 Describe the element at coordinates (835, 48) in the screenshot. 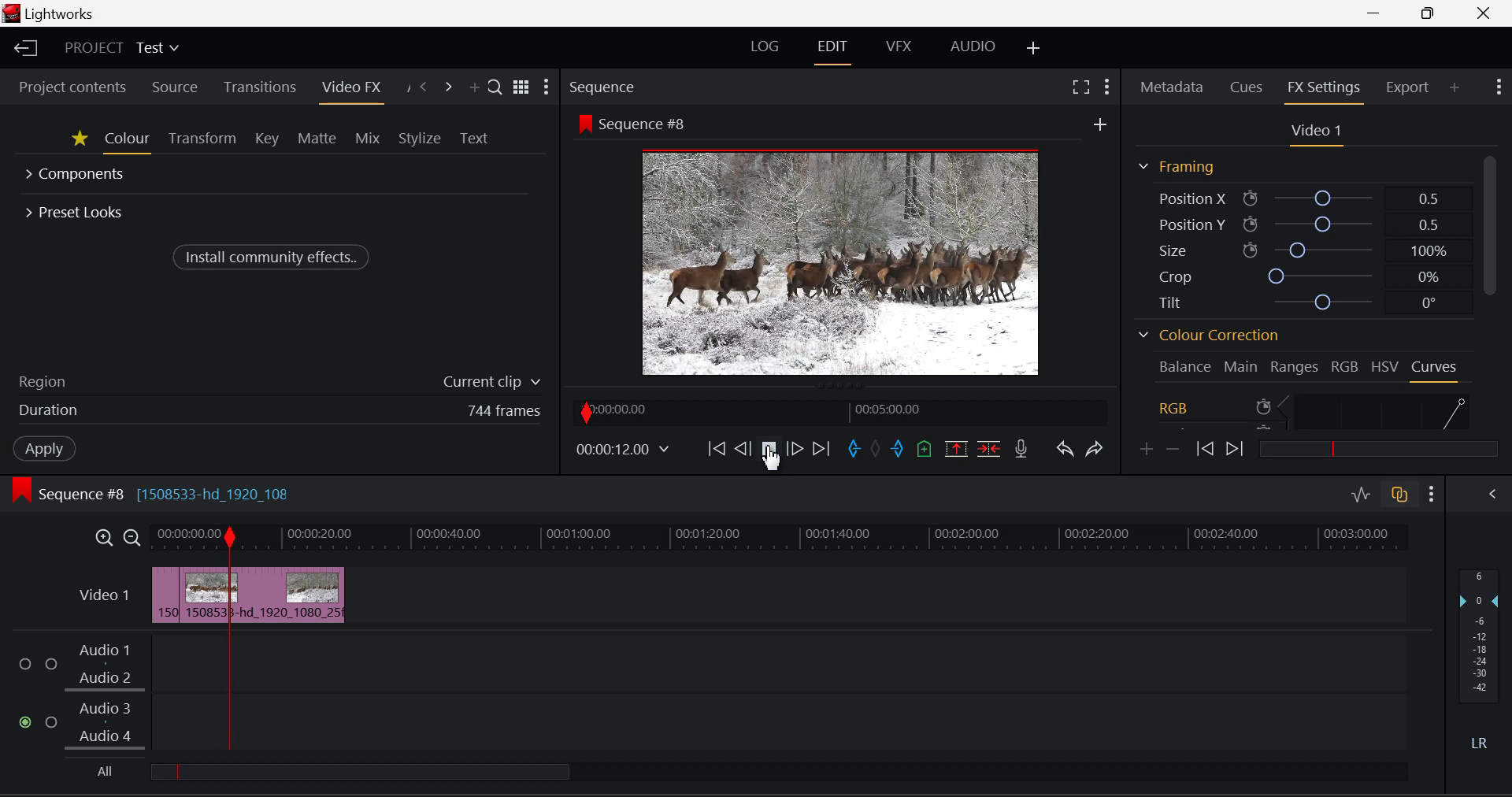

I see `EDIT Layout Open` at that location.